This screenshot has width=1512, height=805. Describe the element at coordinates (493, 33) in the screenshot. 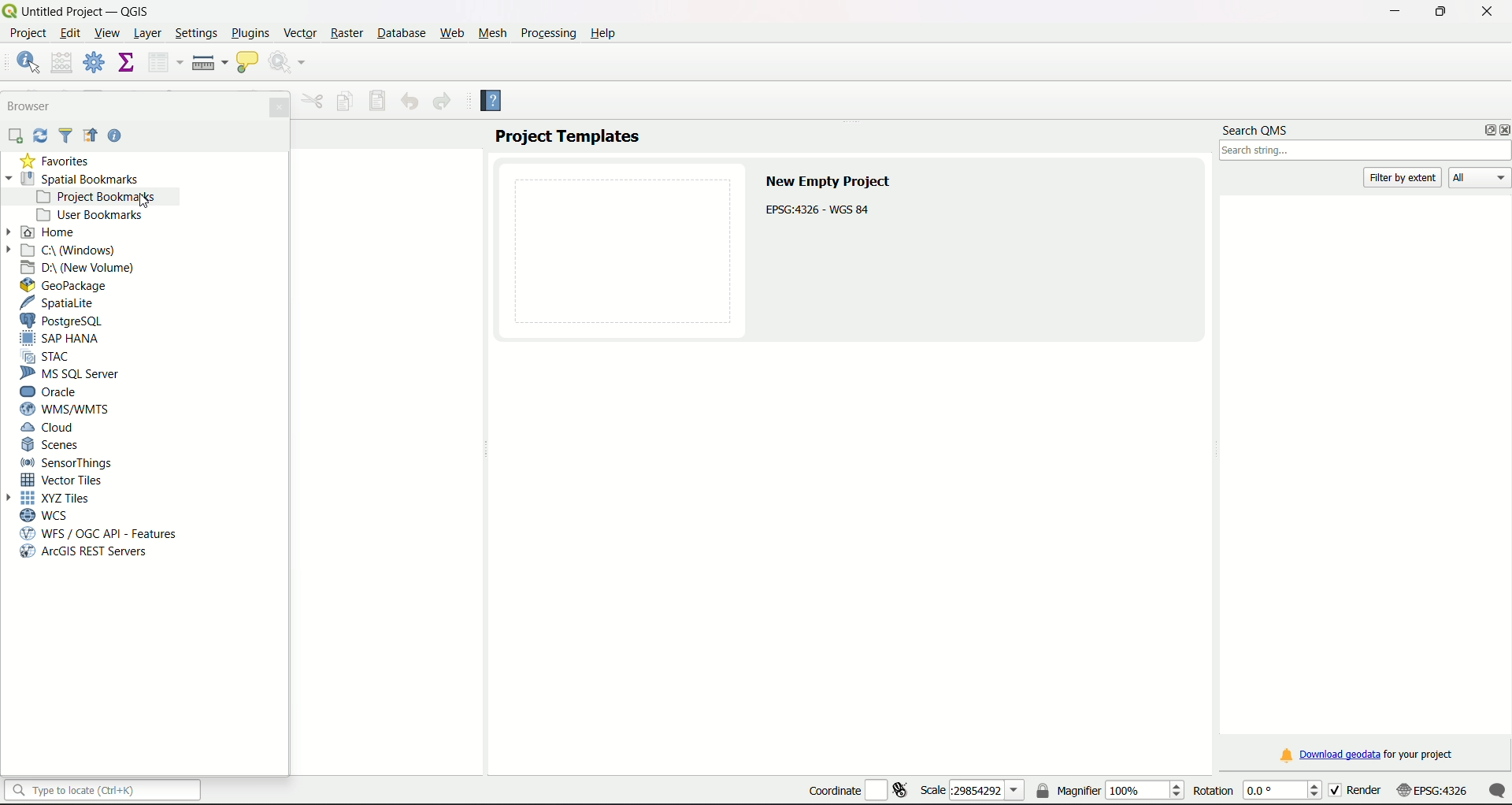

I see `Mesh` at that location.